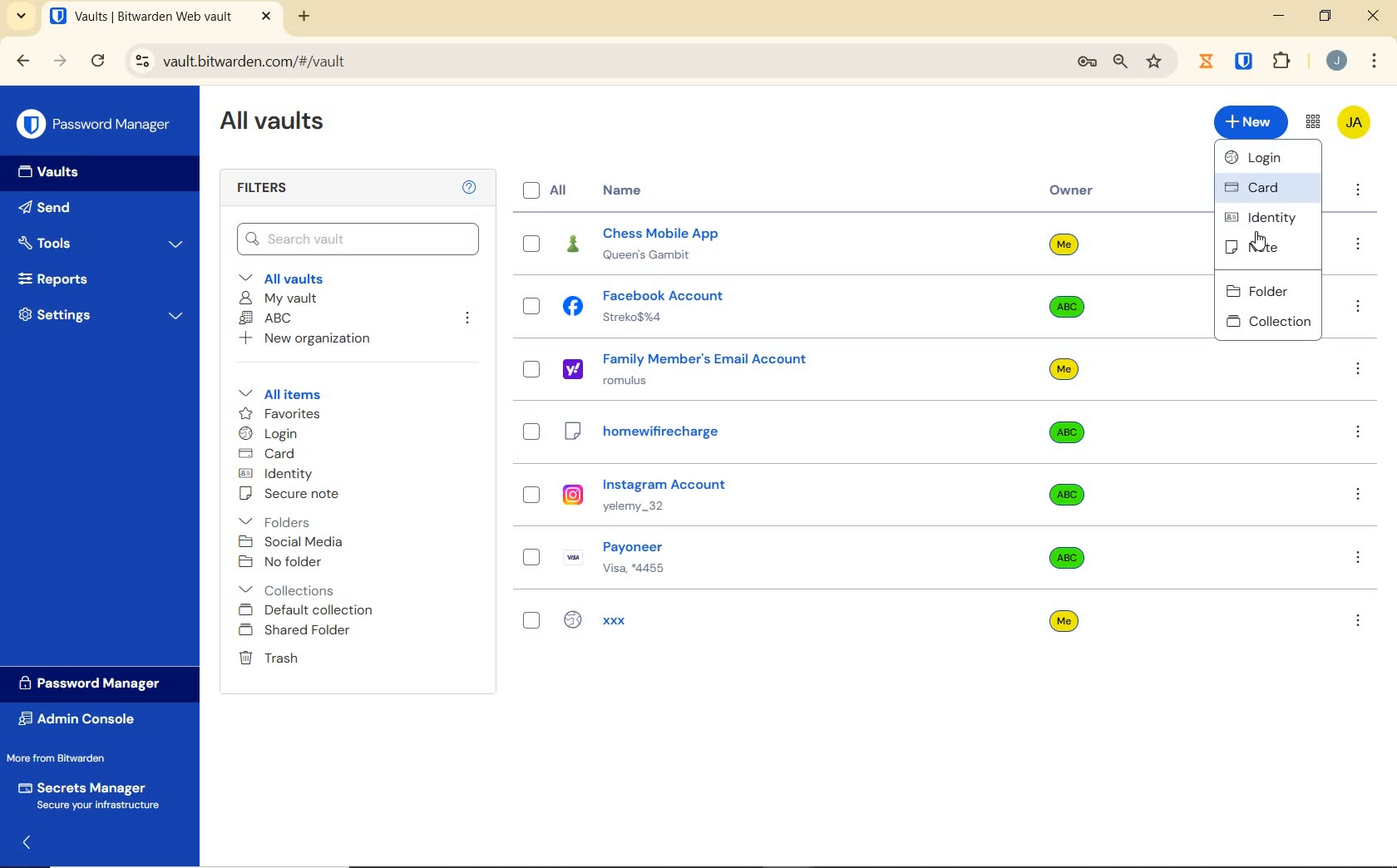 This screenshot has height=868, width=1397. Describe the element at coordinates (310, 341) in the screenshot. I see `New organization` at that location.